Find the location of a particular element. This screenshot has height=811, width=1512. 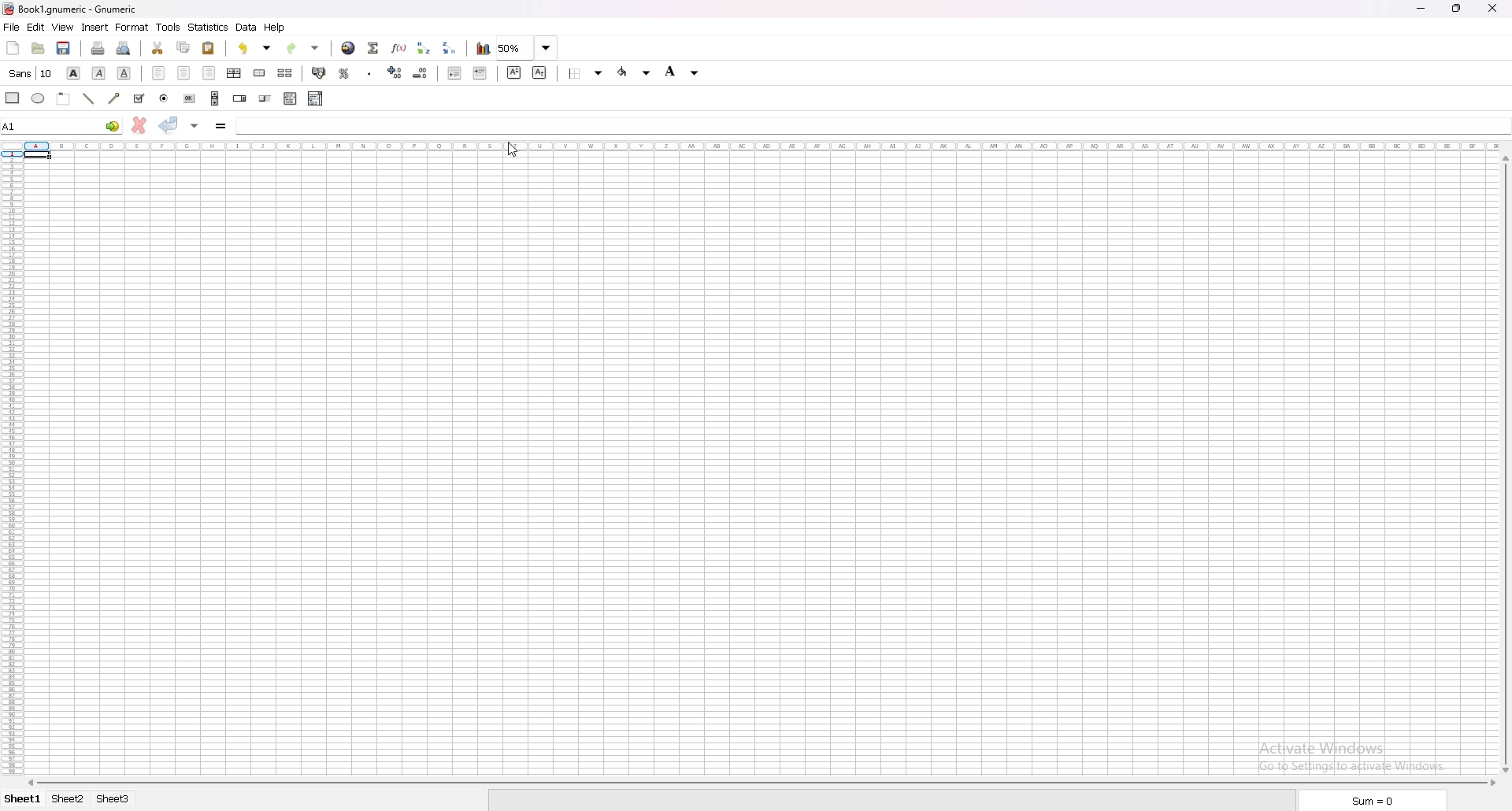

accounting is located at coordinates (319, 72).